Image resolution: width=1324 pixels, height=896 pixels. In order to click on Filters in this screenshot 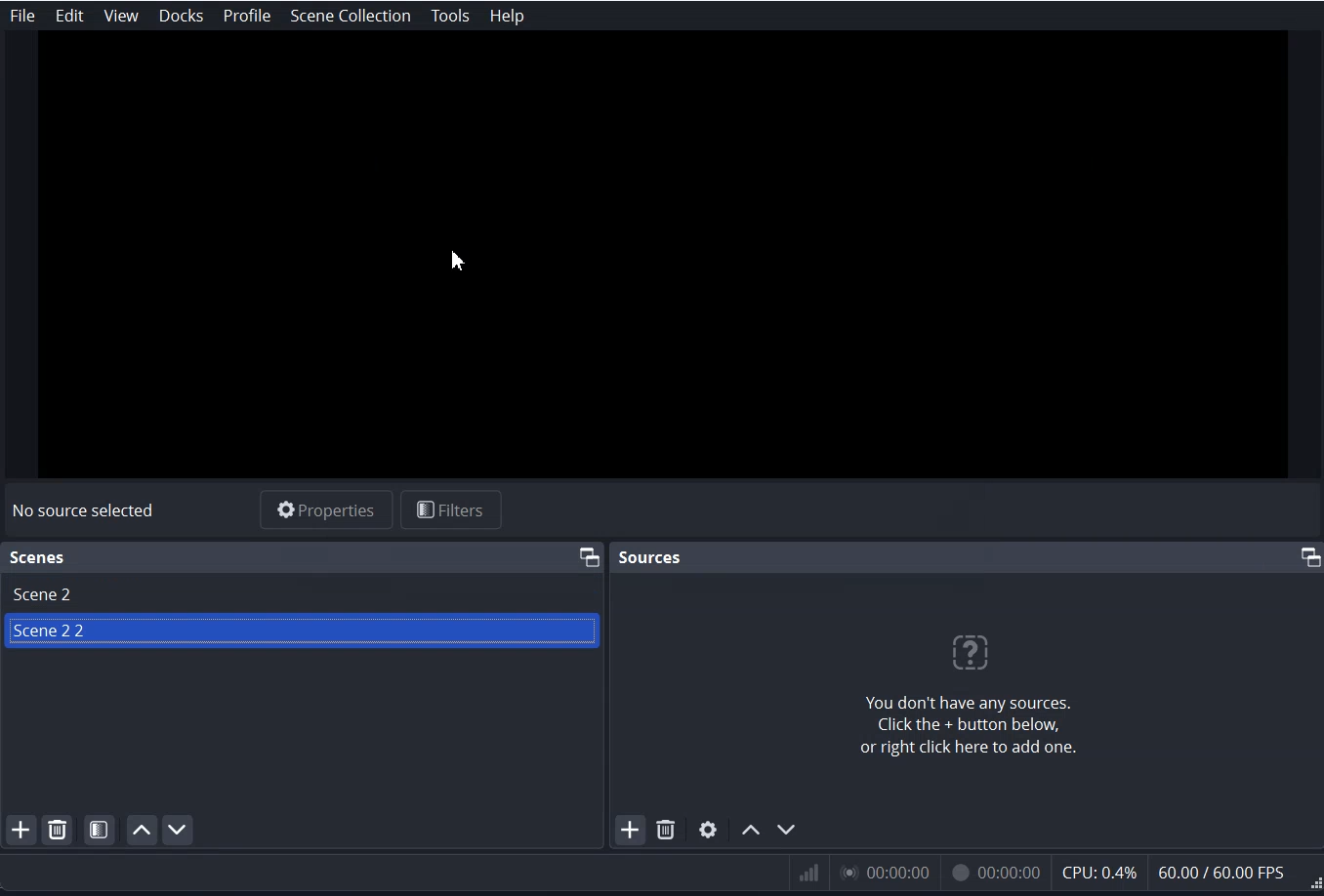, I will do `click(452, 509)`.